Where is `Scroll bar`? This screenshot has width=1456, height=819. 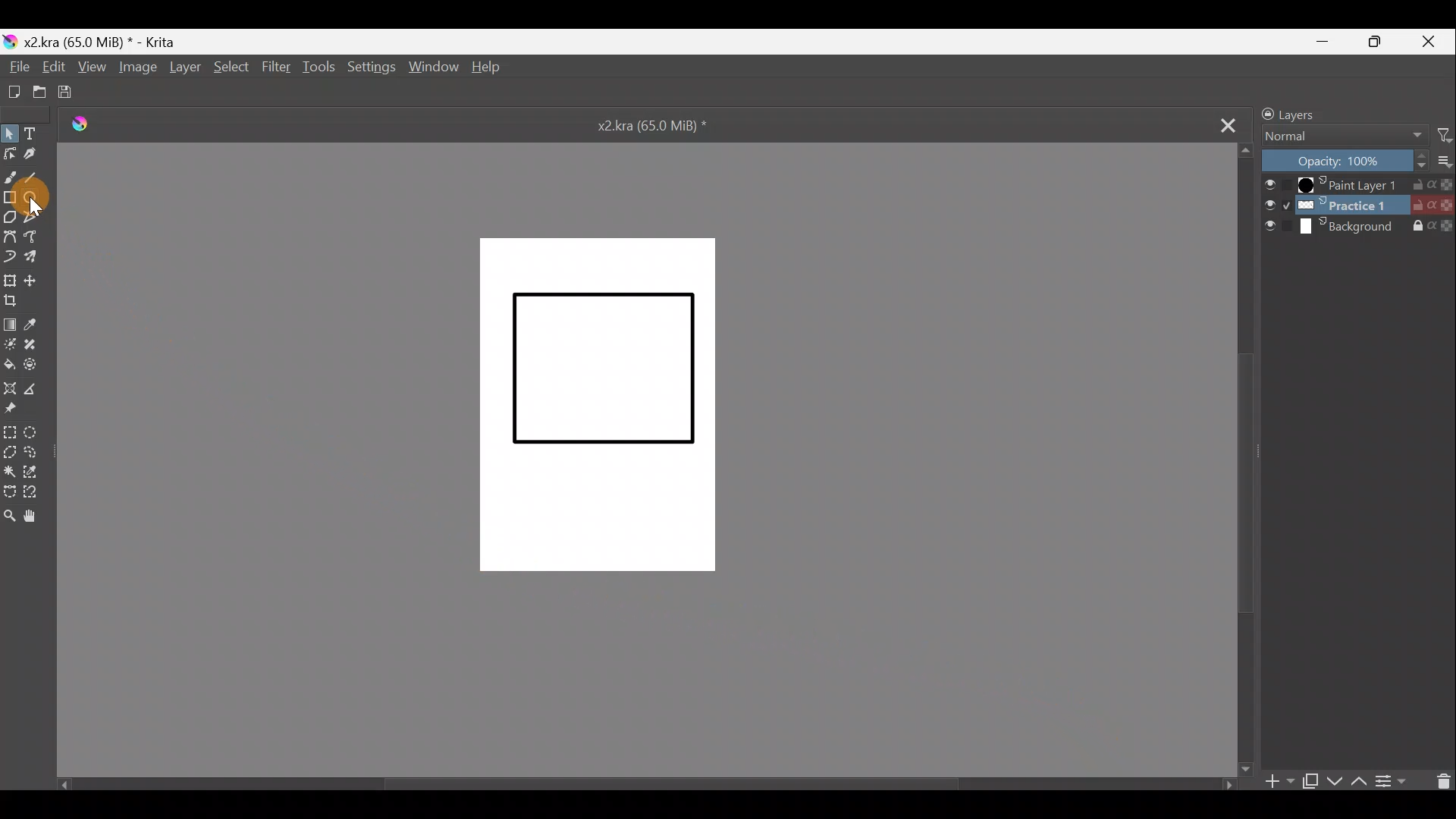
Scroll bar is located at coordinates (633, 781).